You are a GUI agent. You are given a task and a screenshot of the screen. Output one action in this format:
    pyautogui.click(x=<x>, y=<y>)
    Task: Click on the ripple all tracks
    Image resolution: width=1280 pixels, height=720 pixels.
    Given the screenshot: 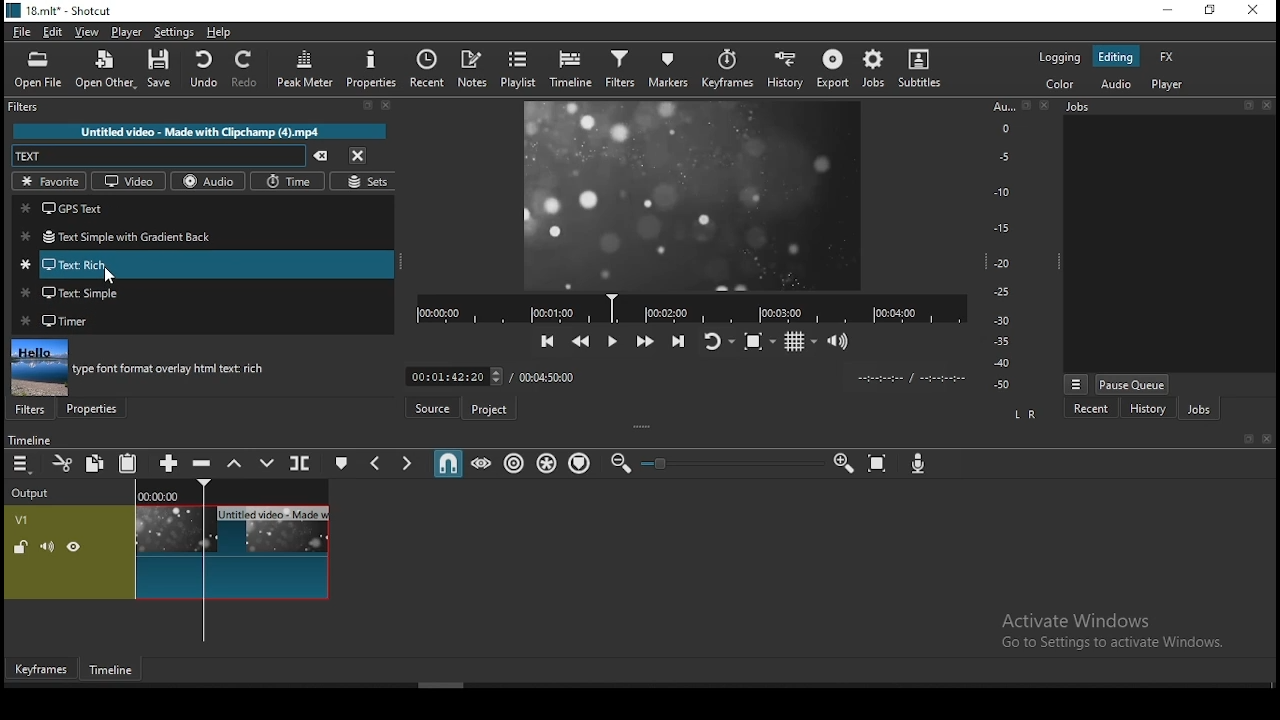 What is the action you would take?
    pyautogui.click(x=547, y=463)
    